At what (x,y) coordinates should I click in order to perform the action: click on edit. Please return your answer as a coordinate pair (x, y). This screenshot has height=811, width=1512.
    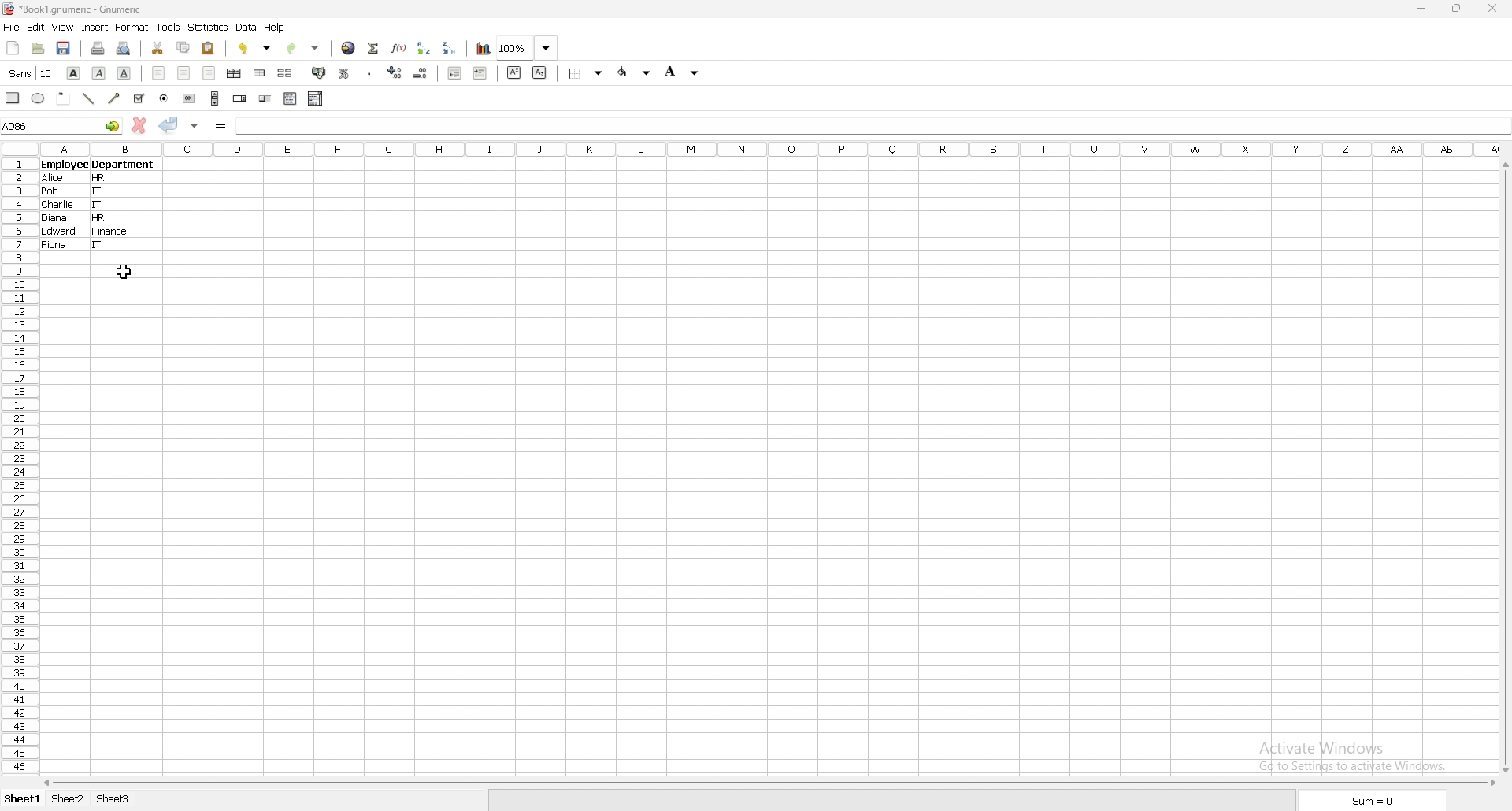
    Looking at the image, I should click on (37, 27).